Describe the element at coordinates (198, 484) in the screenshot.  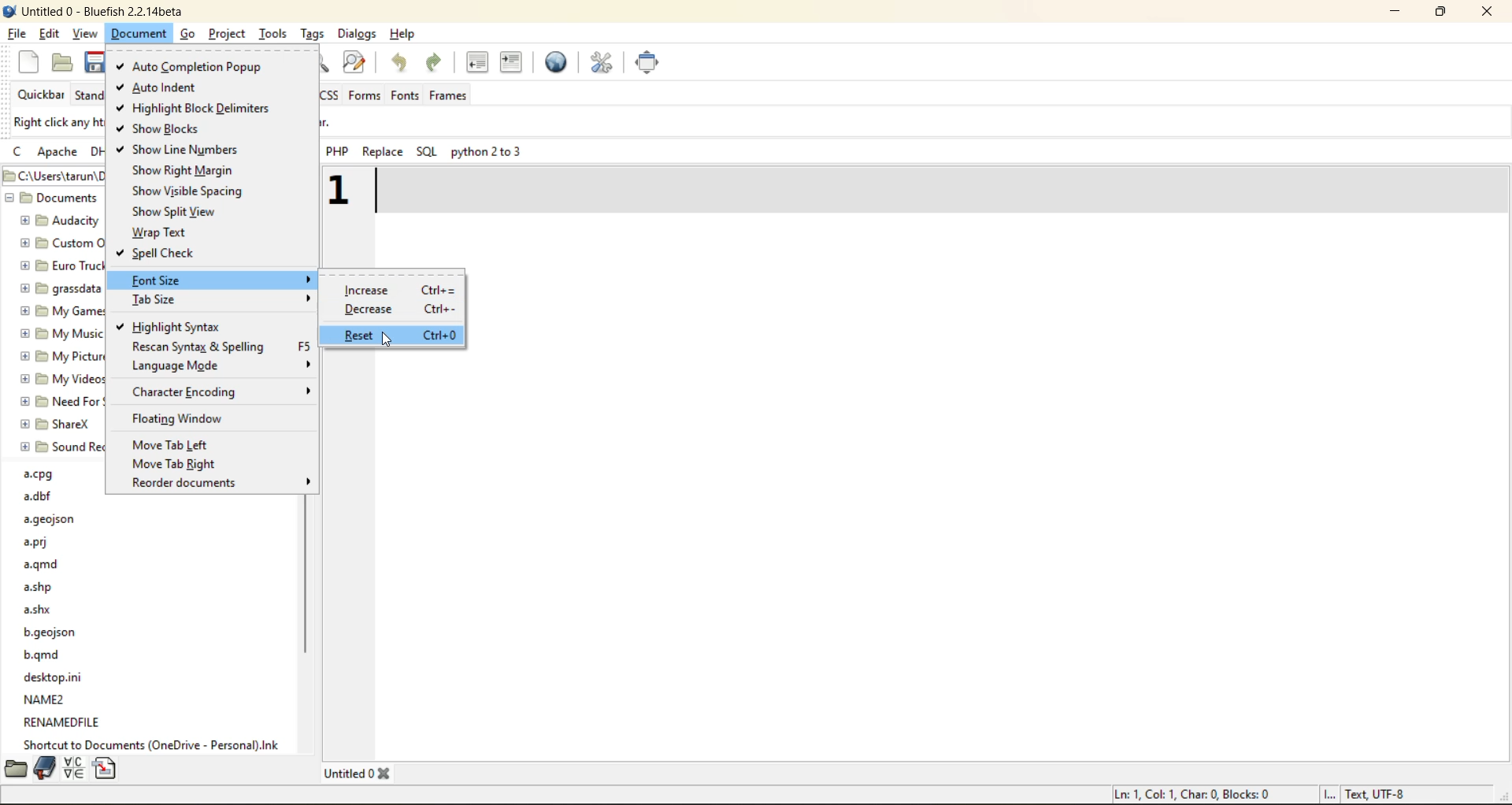
I see `recorder documents` at that location.